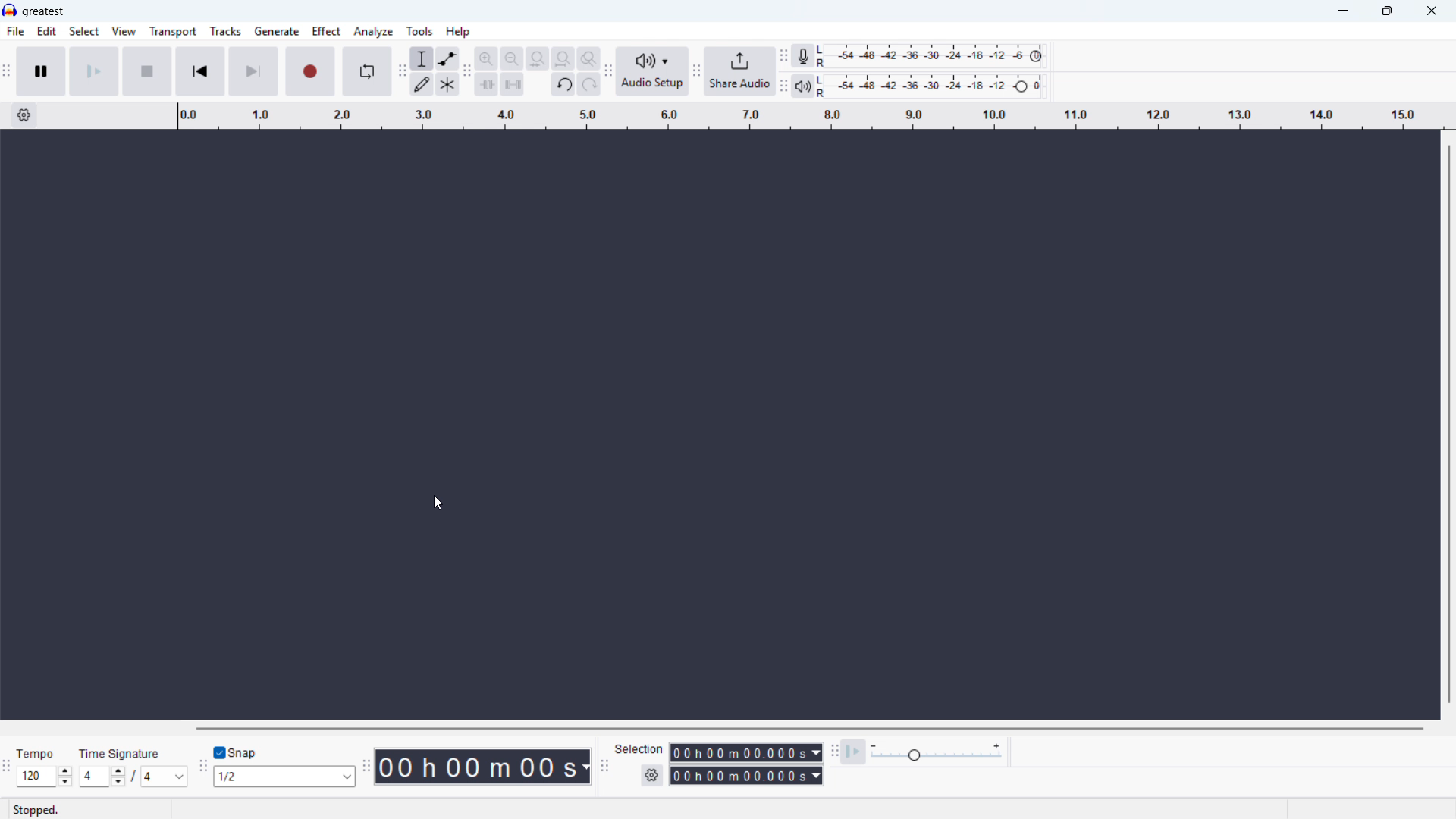 The width and height of the screenshot is (1456, 819). What do you see at coordinates (253, 72) in the screenshot?
I see `Skip to end ` at bounding box center [253, 72].